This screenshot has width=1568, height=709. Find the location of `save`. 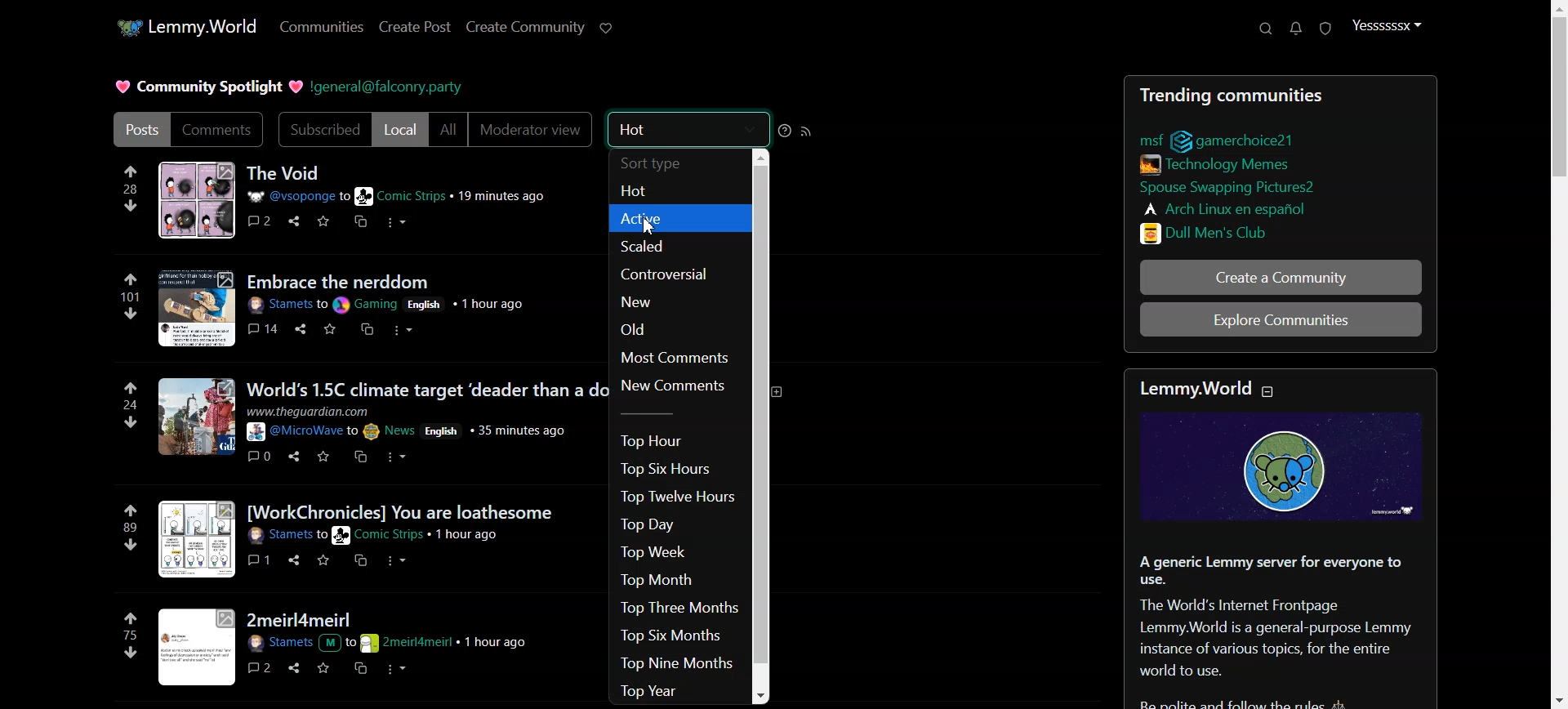

save is located at coordinates (325, 560).